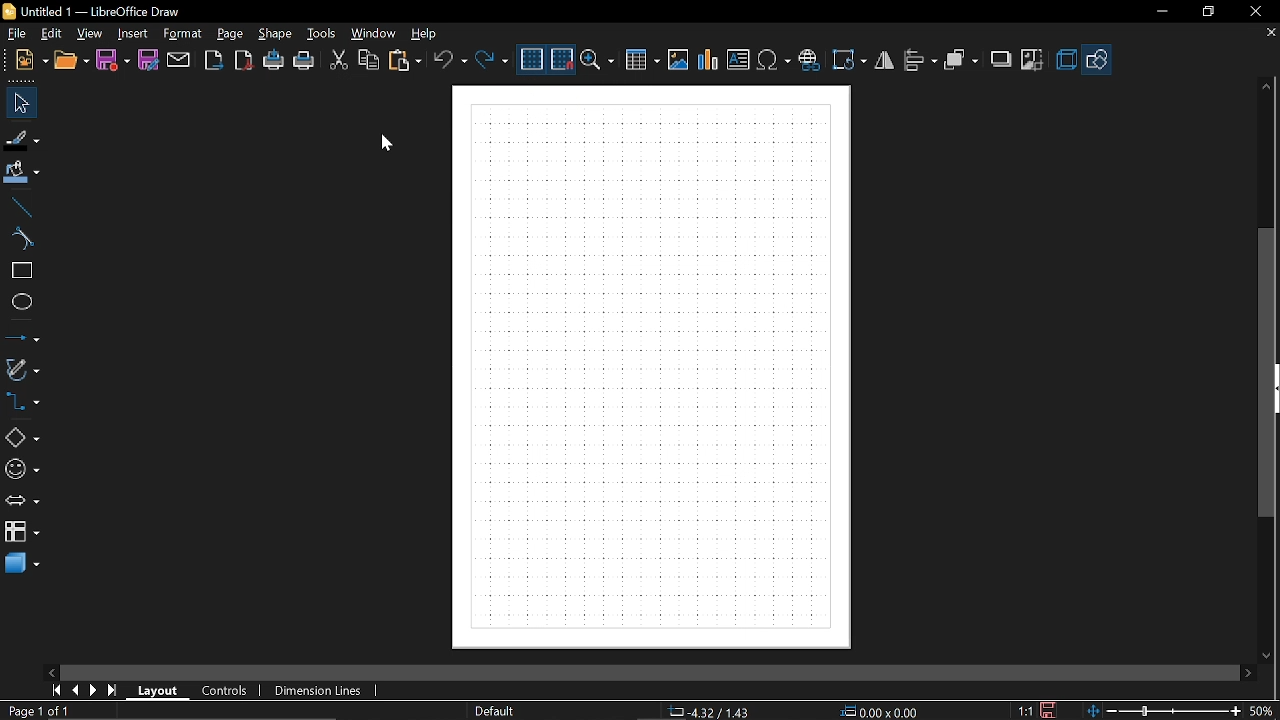 This screenshot has width=1280, height=720. I want to click on Curve, so click(21, 240).